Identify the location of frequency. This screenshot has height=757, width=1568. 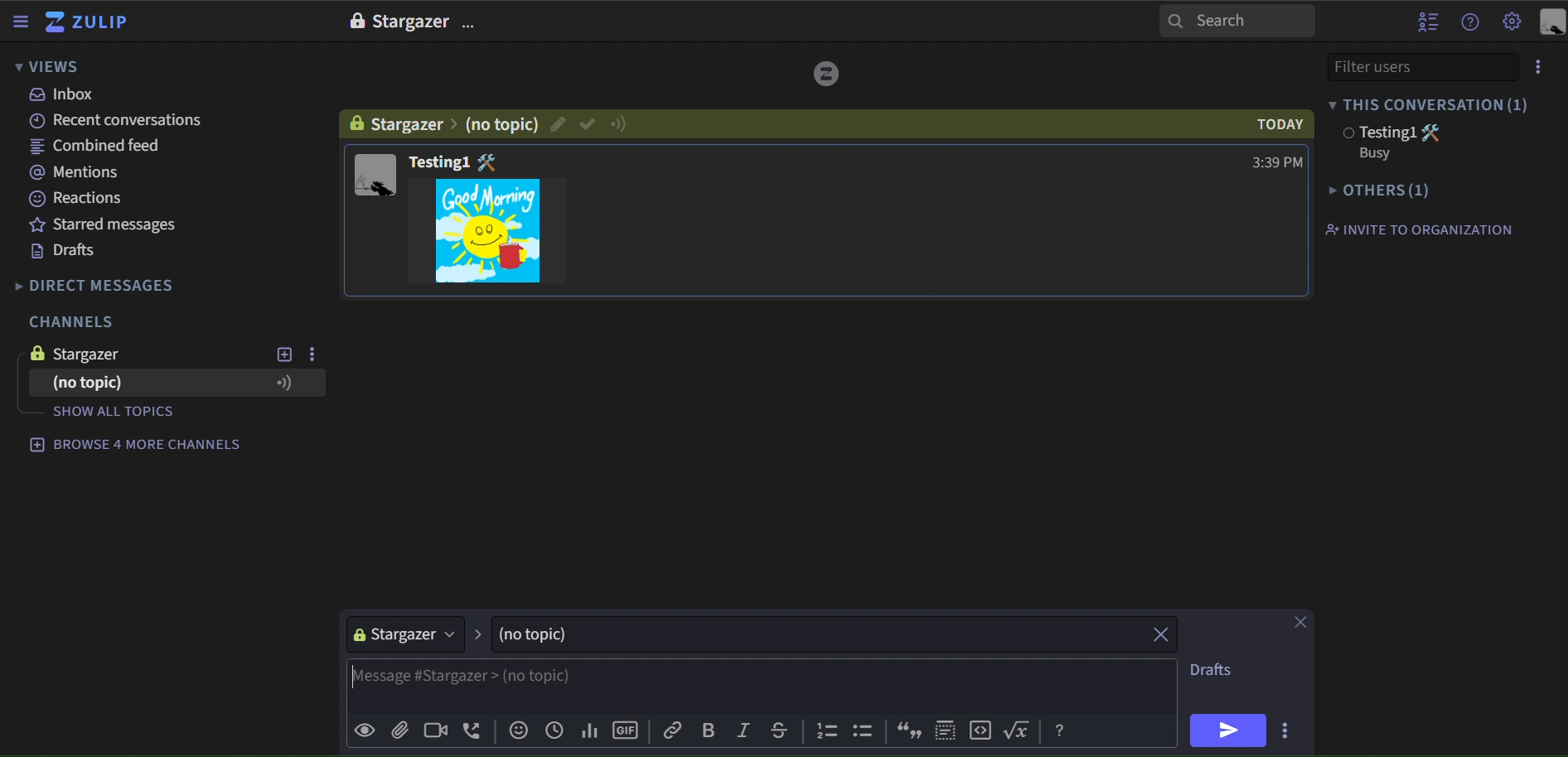
(588, 728).